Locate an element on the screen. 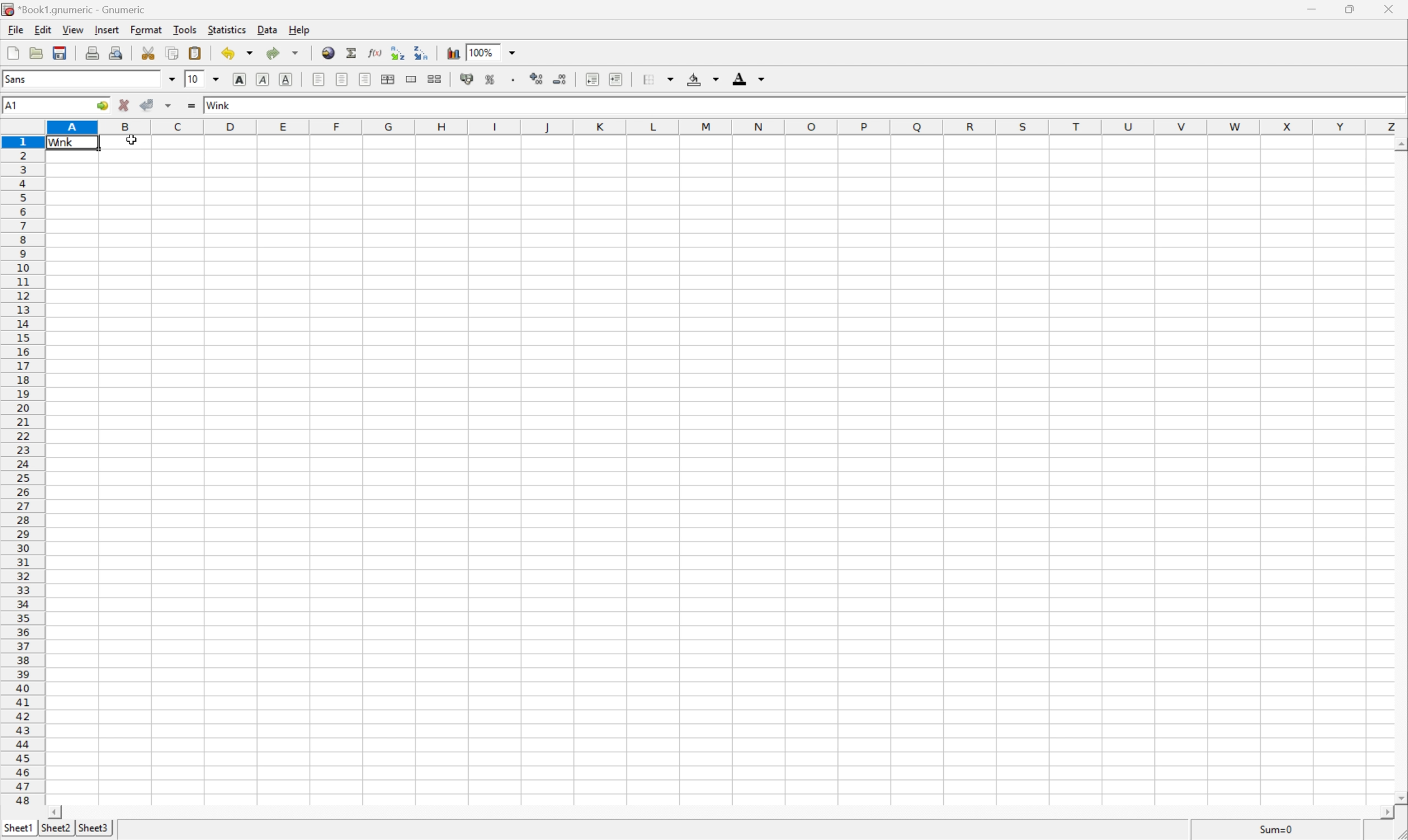 This screenshot has height=840, width=1408. accept changes is located at coordinates (146, 104).